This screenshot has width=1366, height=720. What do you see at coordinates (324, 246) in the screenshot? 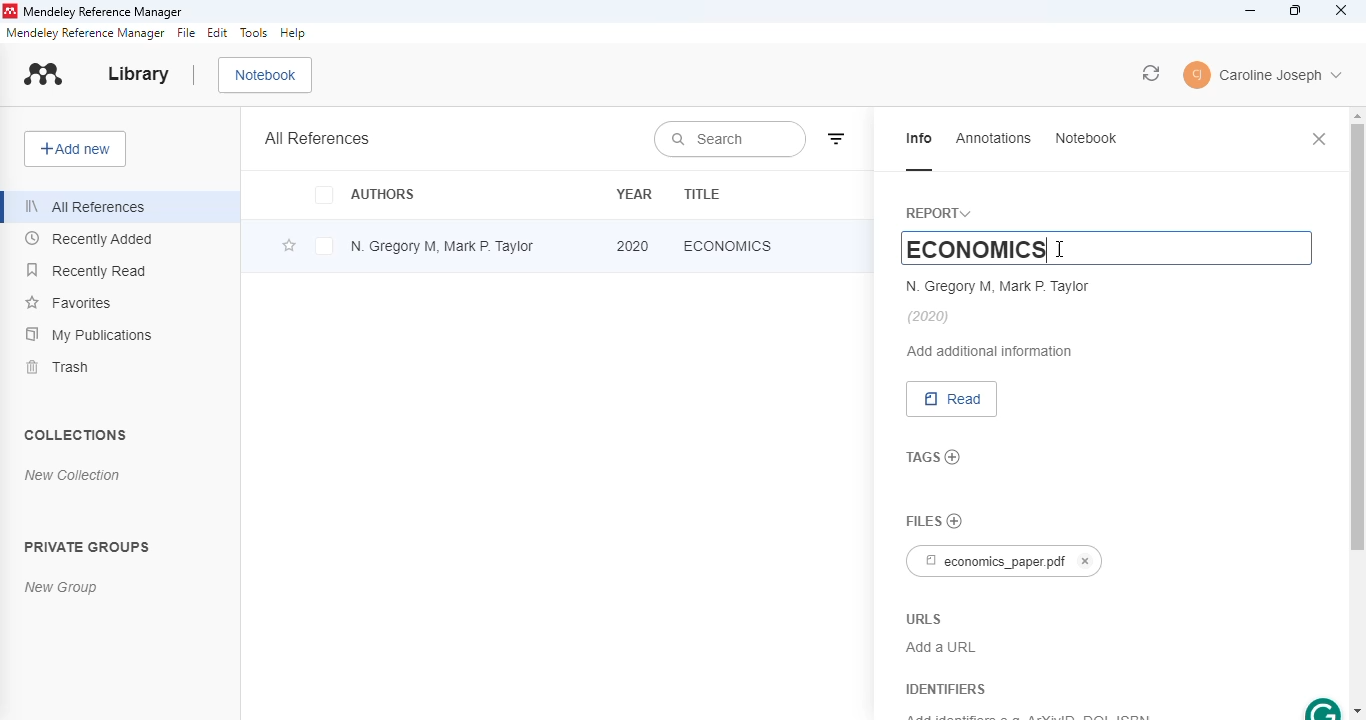
I see `select` at bounding box center [324, 246].